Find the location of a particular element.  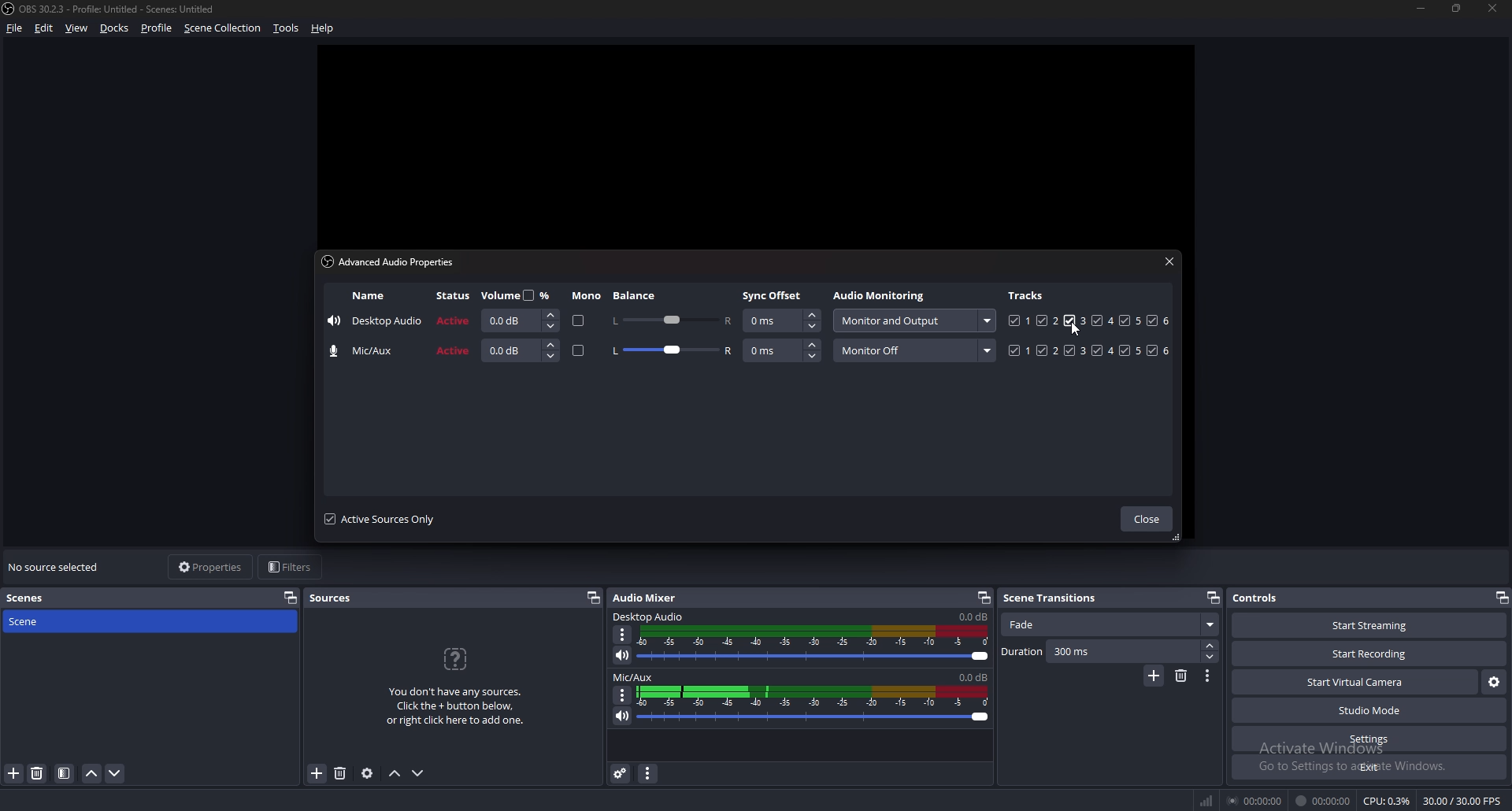

delete scene is located at coordinates (39, 774).